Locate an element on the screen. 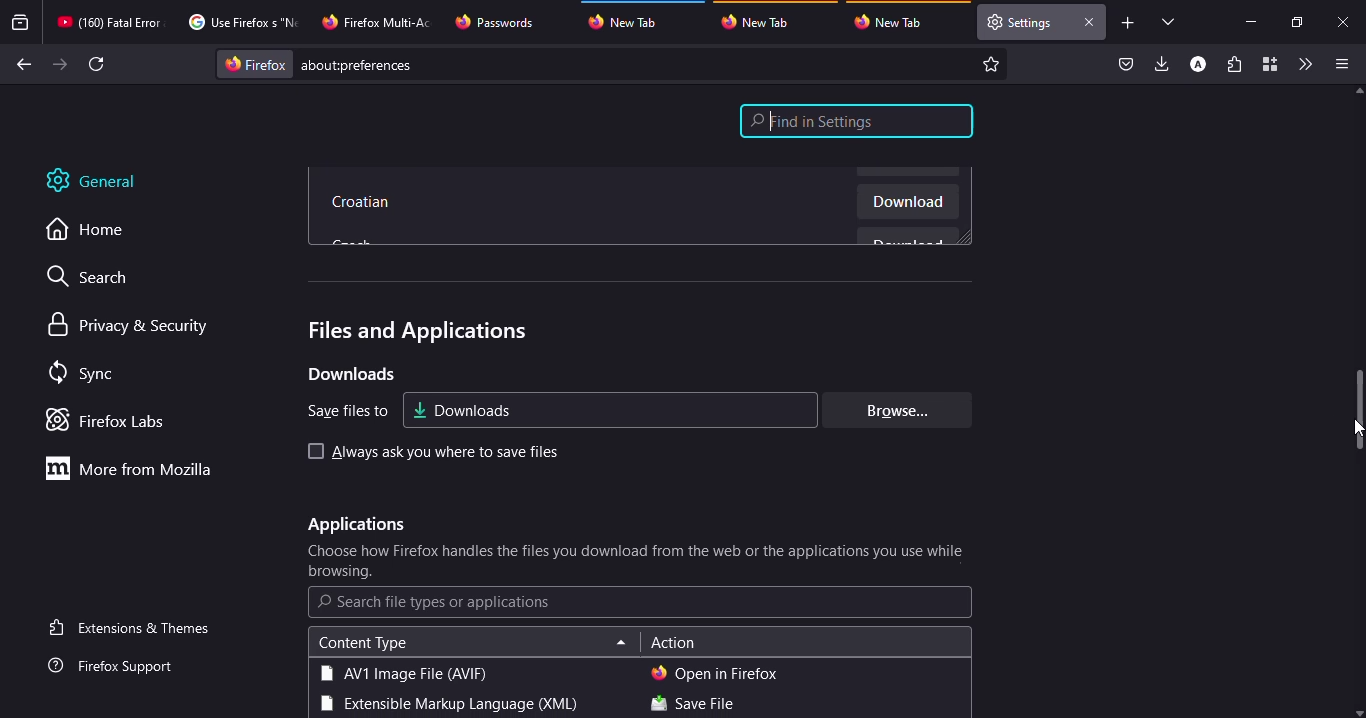 The height and width of the screenshot is (718, 1366). view tab is located at coordinates (1169, 21).